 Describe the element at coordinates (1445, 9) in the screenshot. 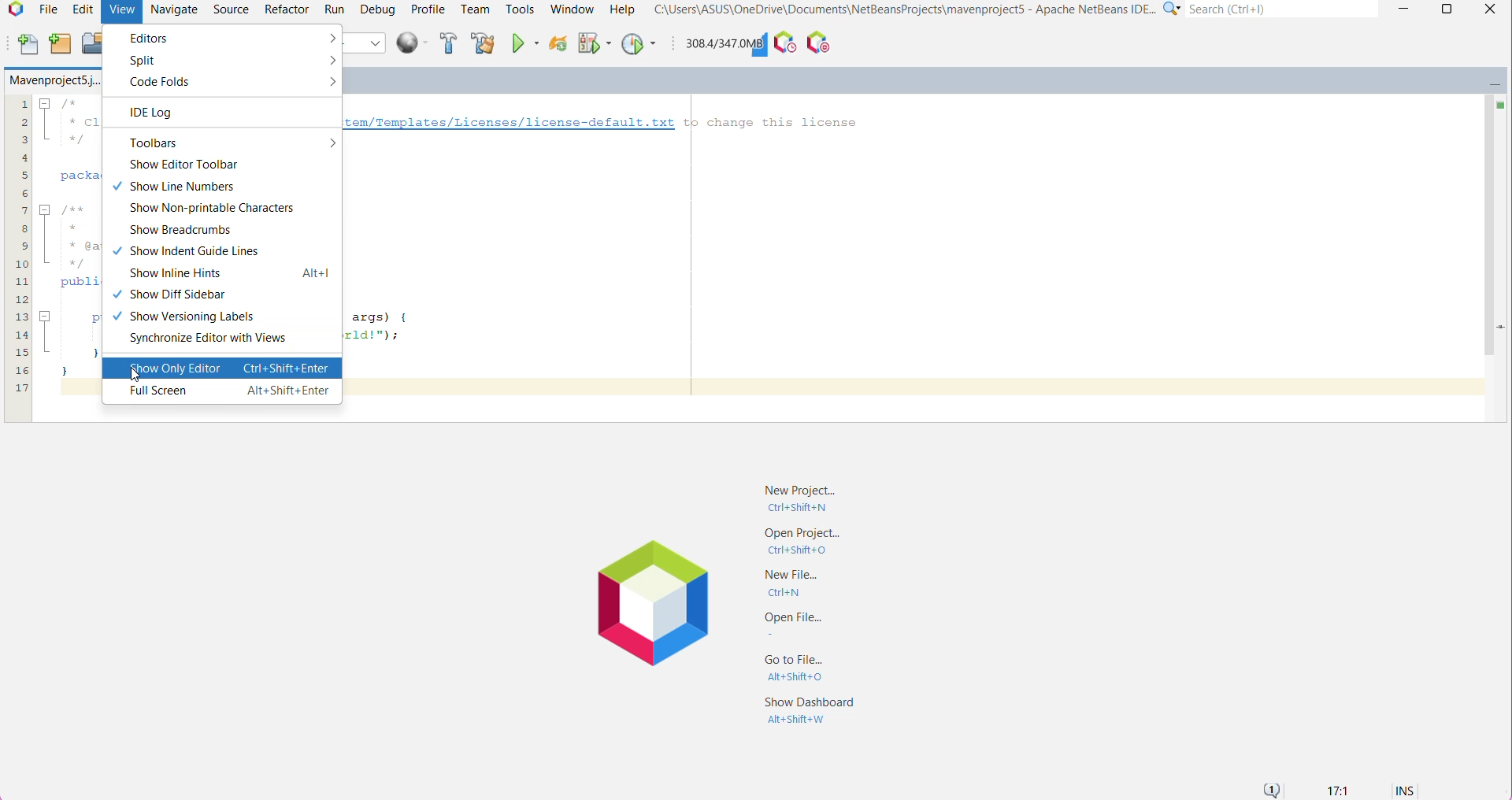

I see `Maximize` at that location.